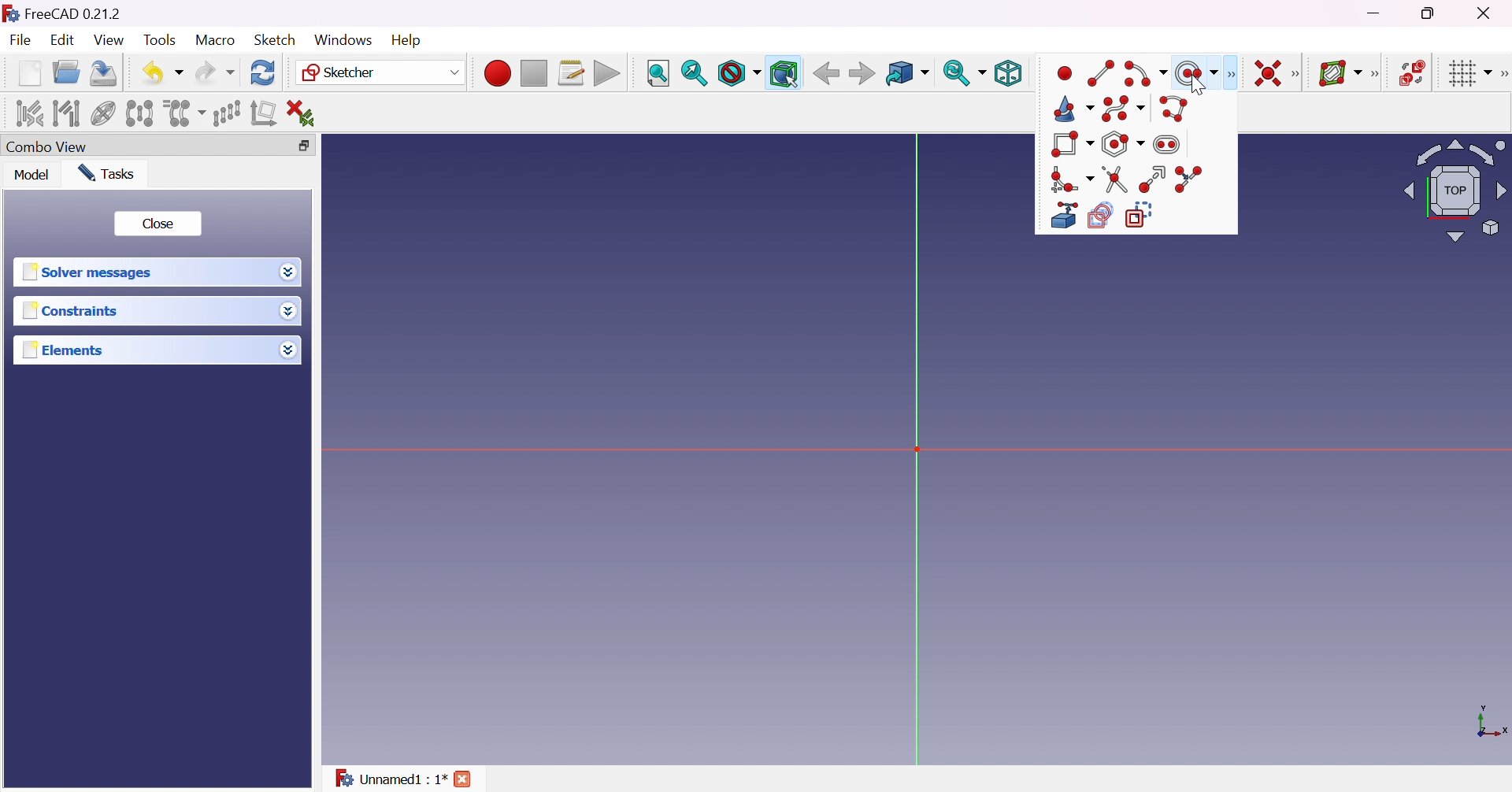 The width and height of the screenshot is (1512, 792). Describe the element at coordinates (390, 775) in the screenshot. I see `Unnamed : 1*` at that location.